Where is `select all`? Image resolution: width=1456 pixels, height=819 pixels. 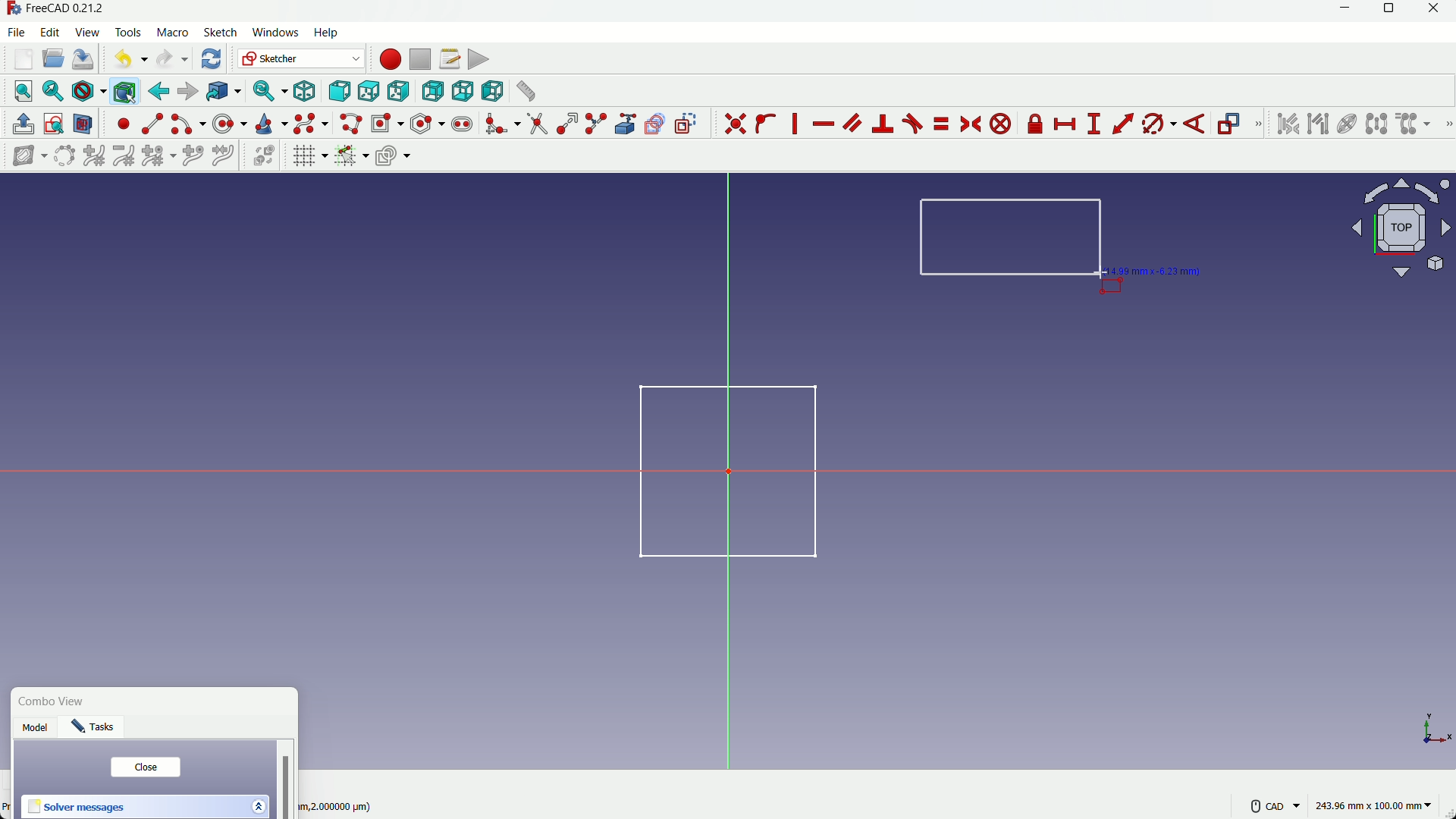 select all is located at coordinates (23, 90).